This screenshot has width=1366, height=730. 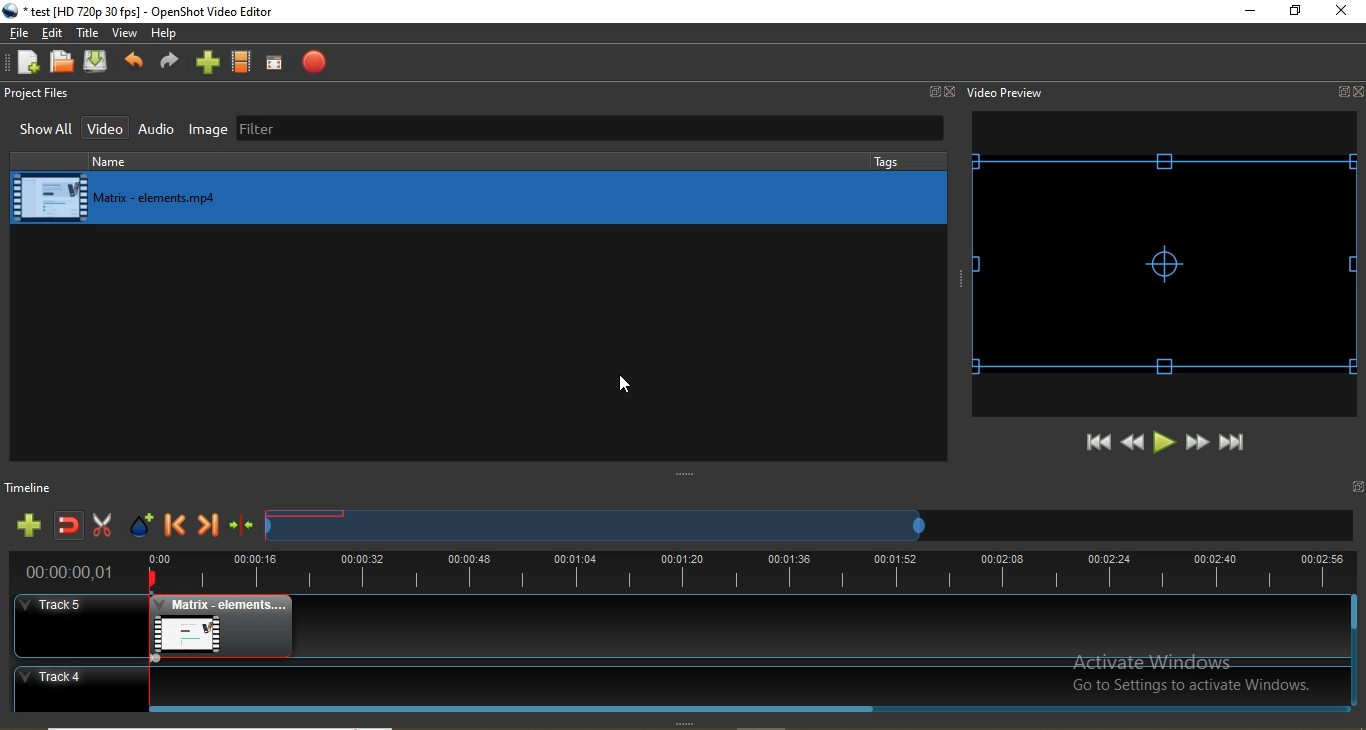 I want to click on View , so click(x=127, y=34).